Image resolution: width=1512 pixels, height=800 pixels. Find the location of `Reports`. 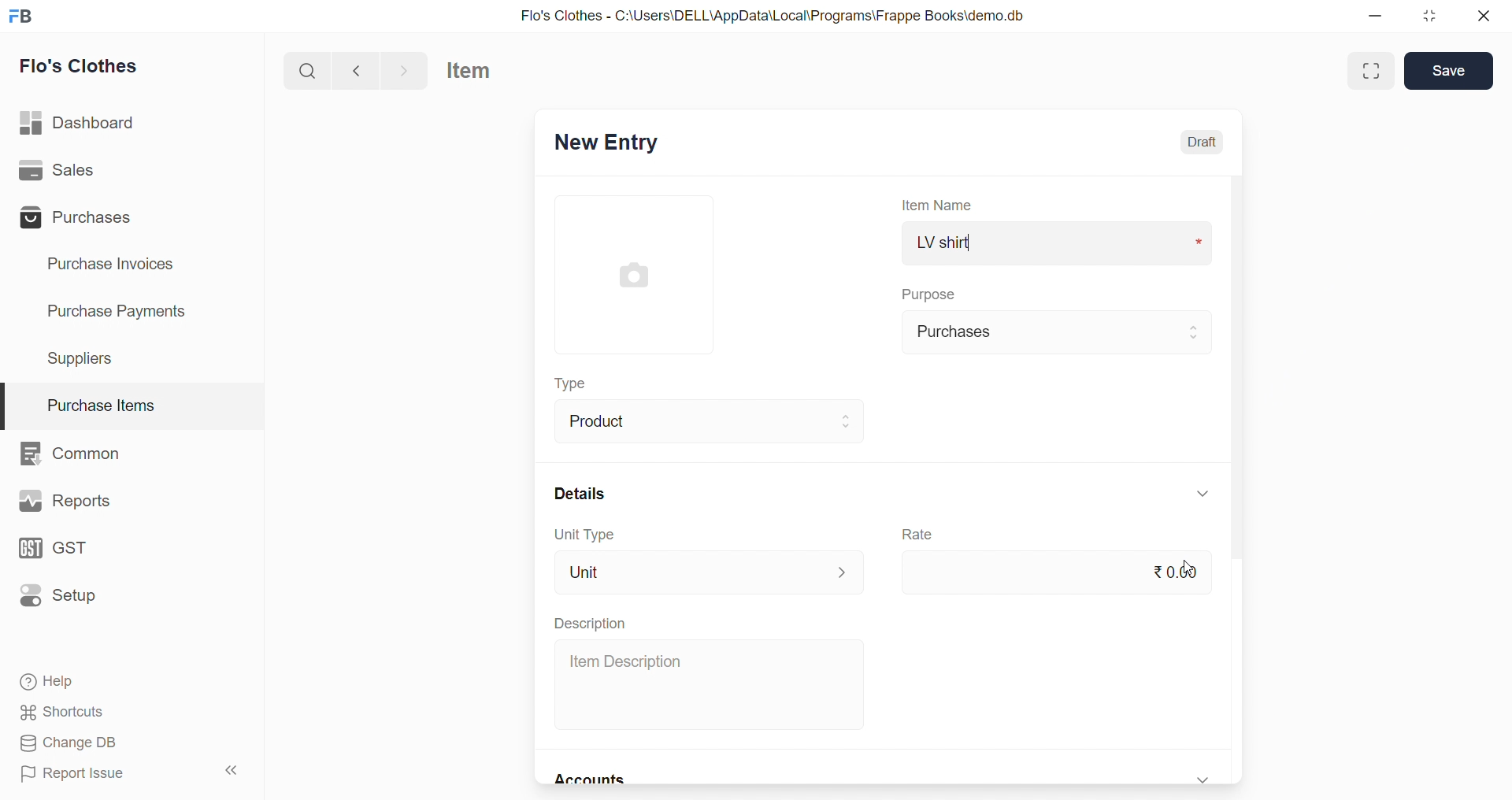

Reports is located at coordinates (66, 501).